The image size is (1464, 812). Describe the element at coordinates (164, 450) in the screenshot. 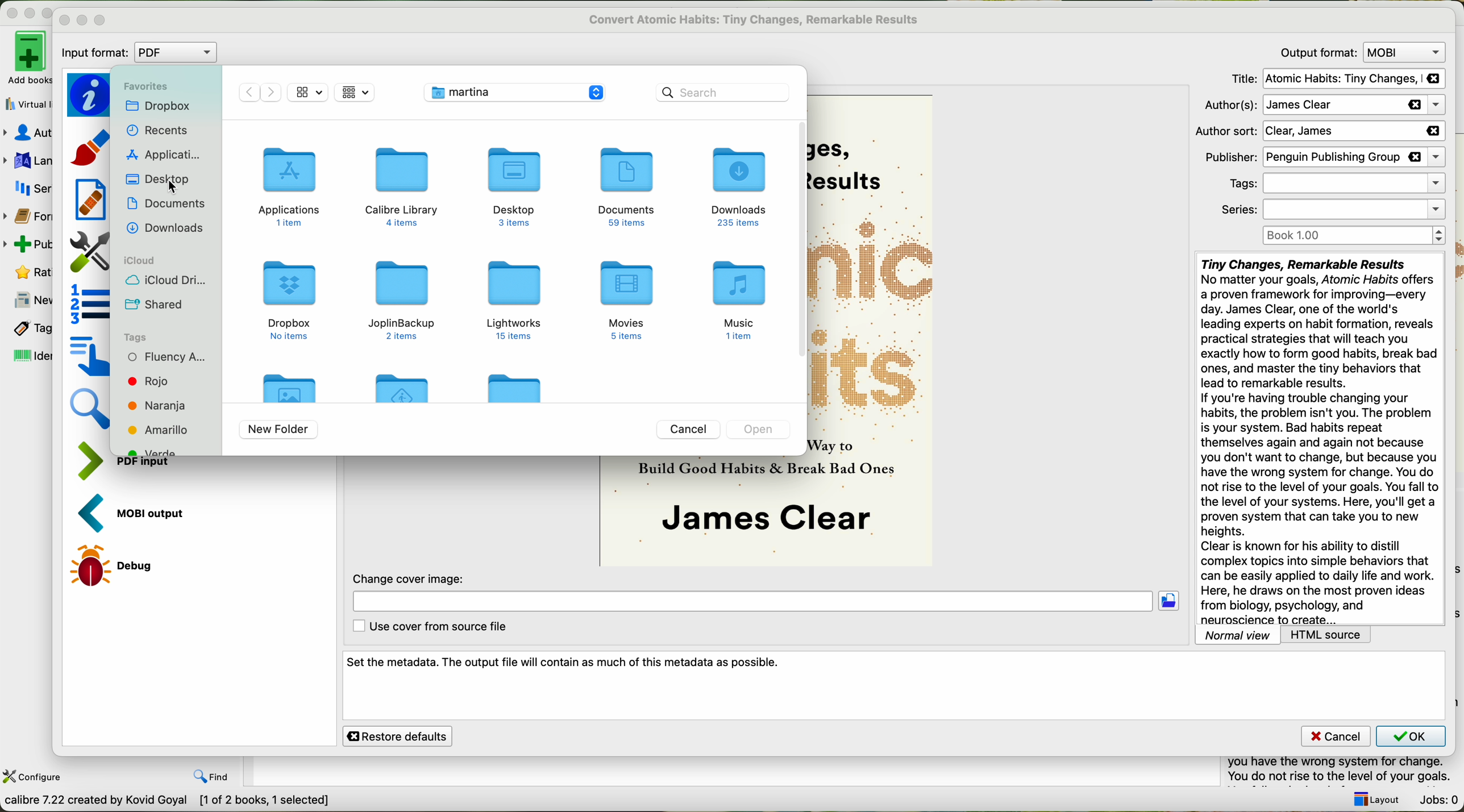

I see `green tag` at that location.